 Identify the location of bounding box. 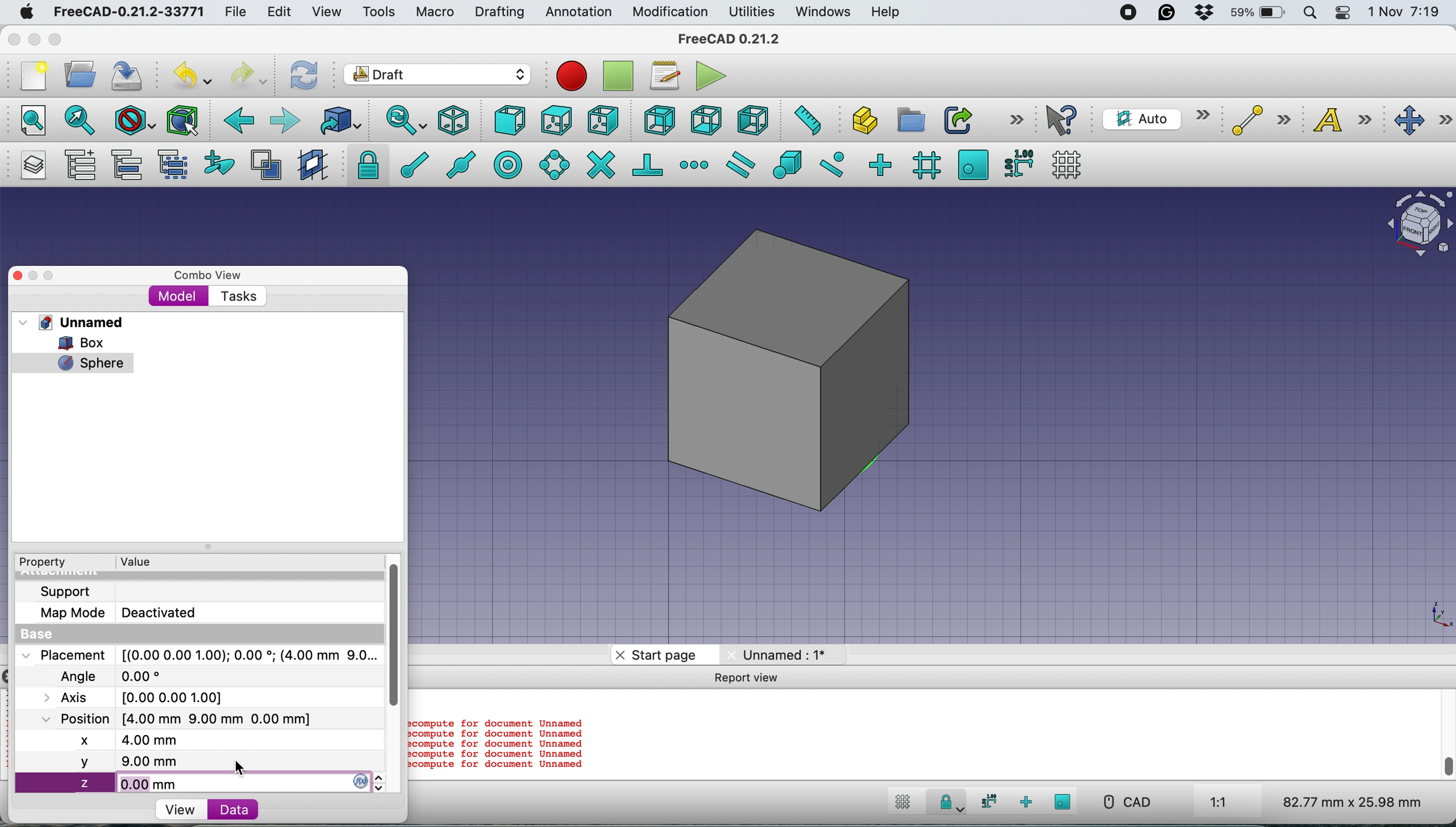
(181, 120).